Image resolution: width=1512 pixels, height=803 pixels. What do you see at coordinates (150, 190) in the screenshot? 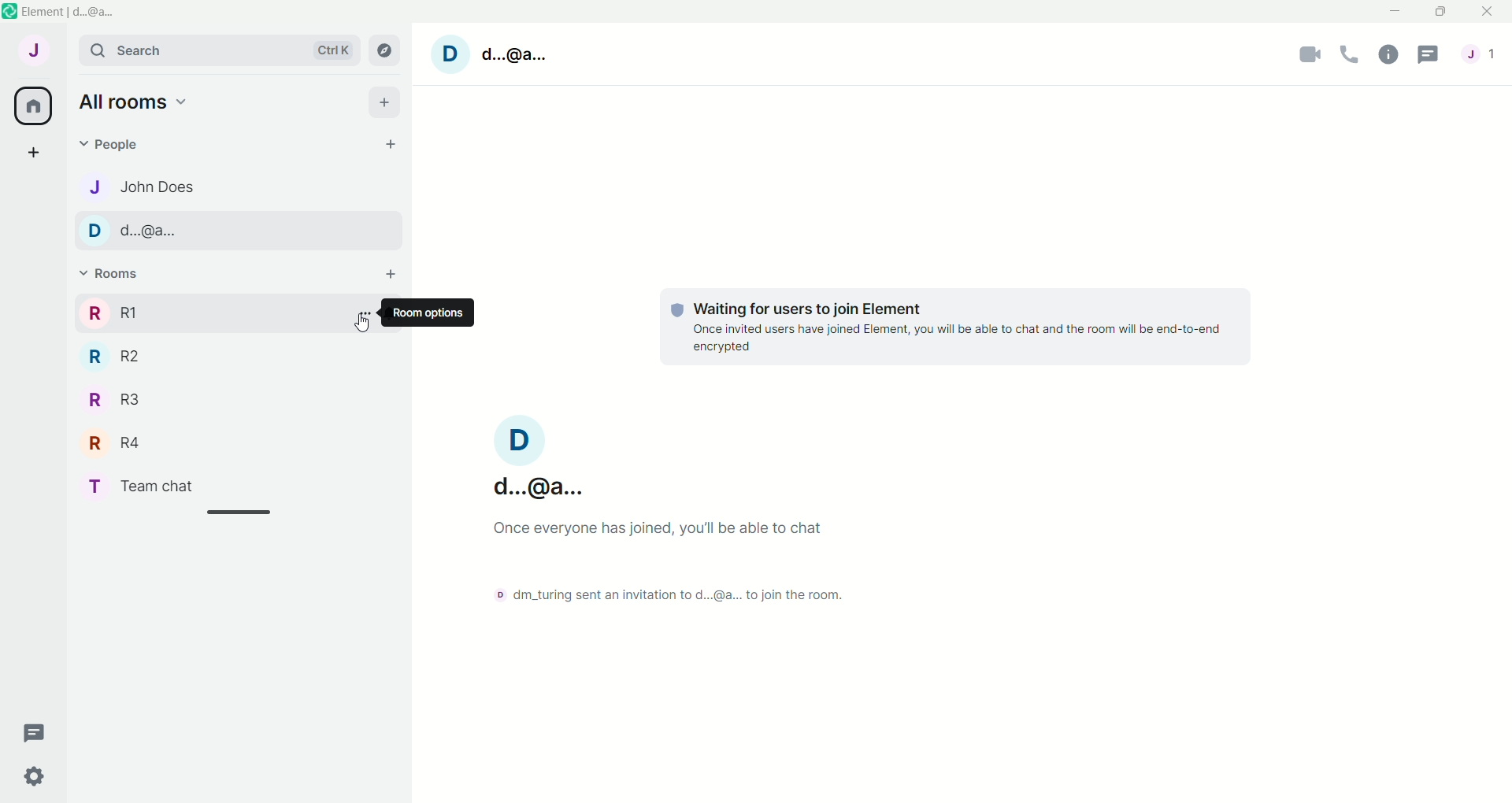
I see `J John Does` at bounding box center [150, 190].